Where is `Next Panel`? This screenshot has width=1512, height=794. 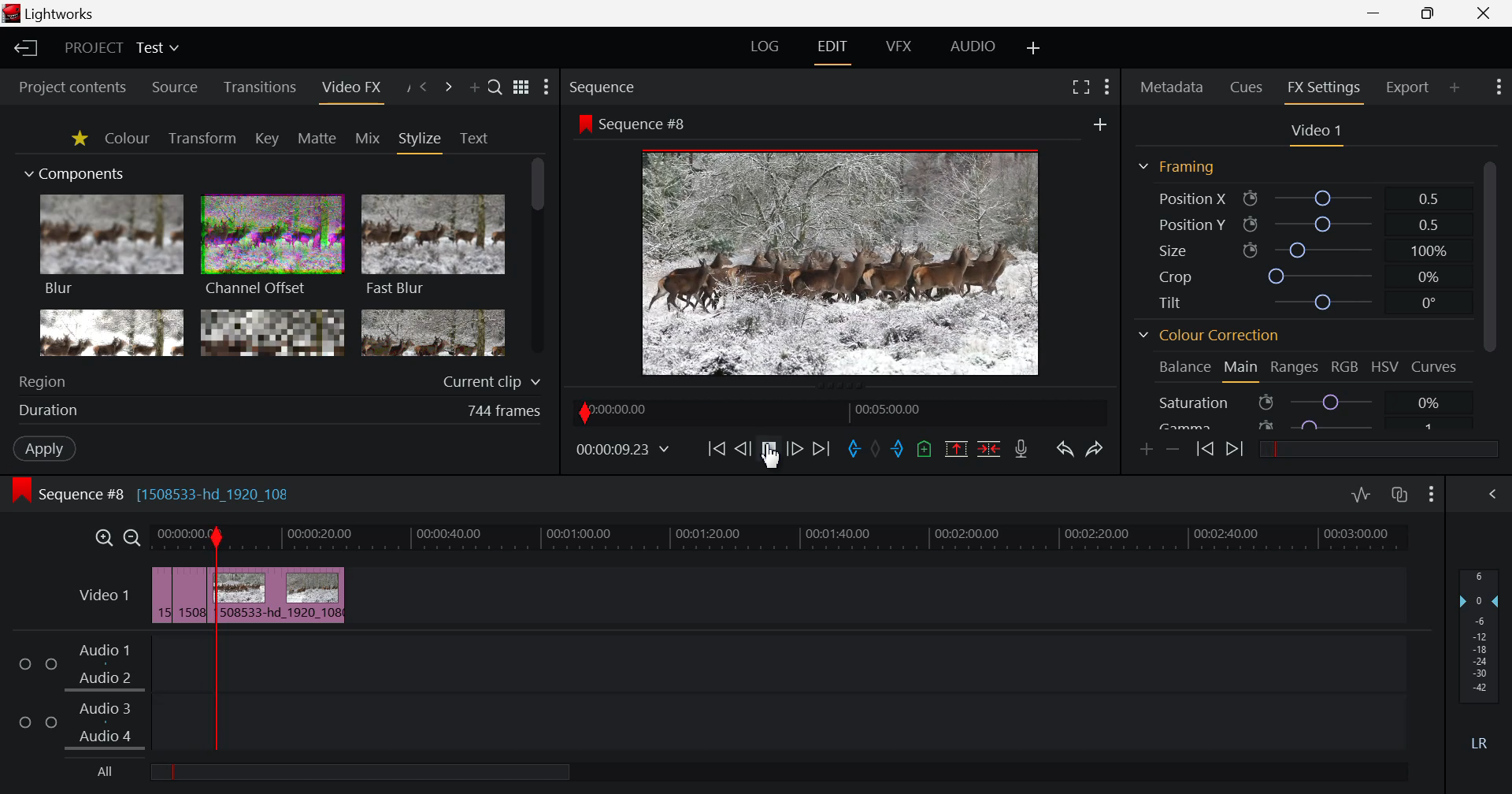 Next Panel is located at coordinates (446, 87).